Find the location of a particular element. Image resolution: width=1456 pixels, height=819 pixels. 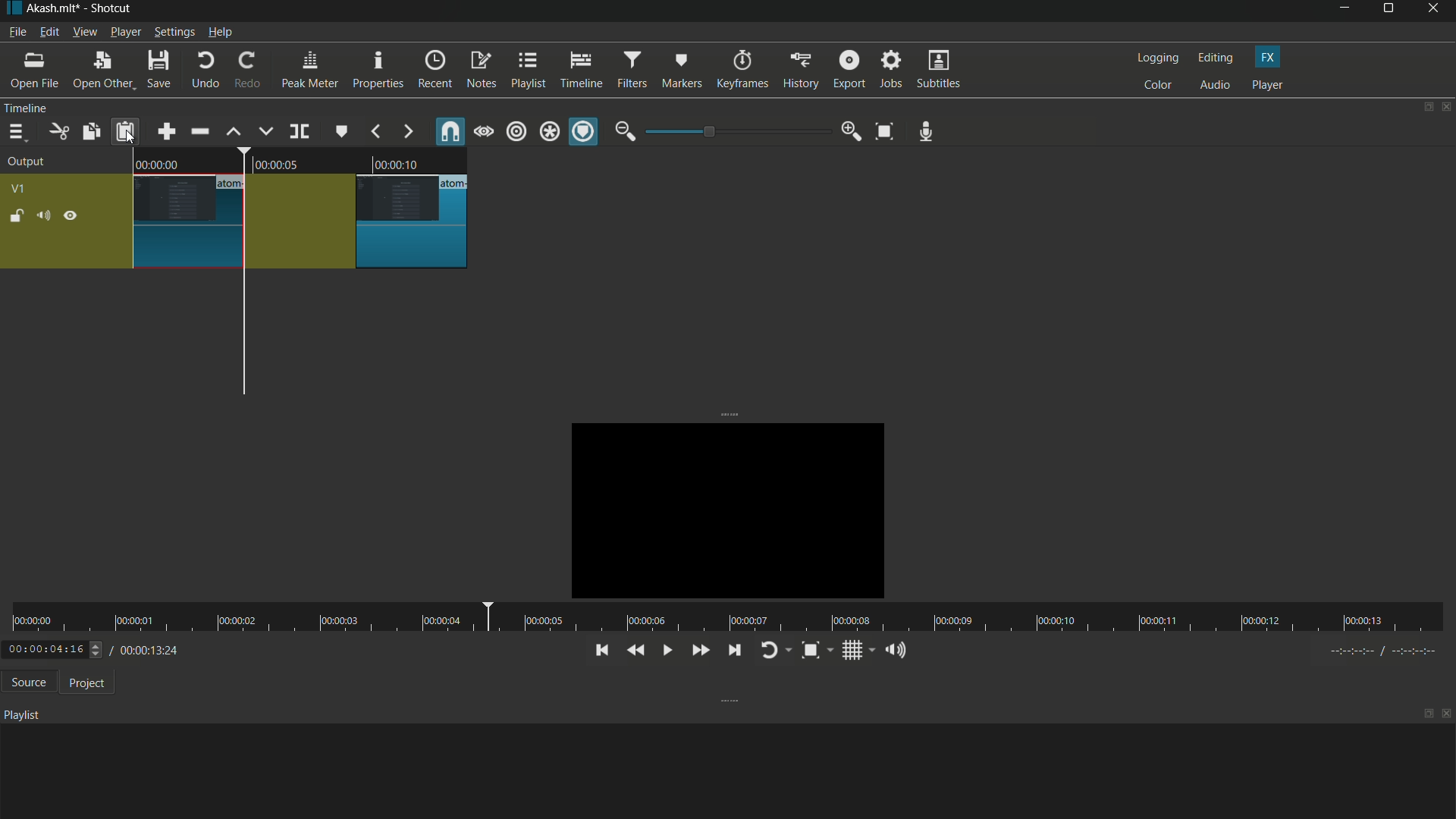

Timeline is located at coordinates (54, 108).